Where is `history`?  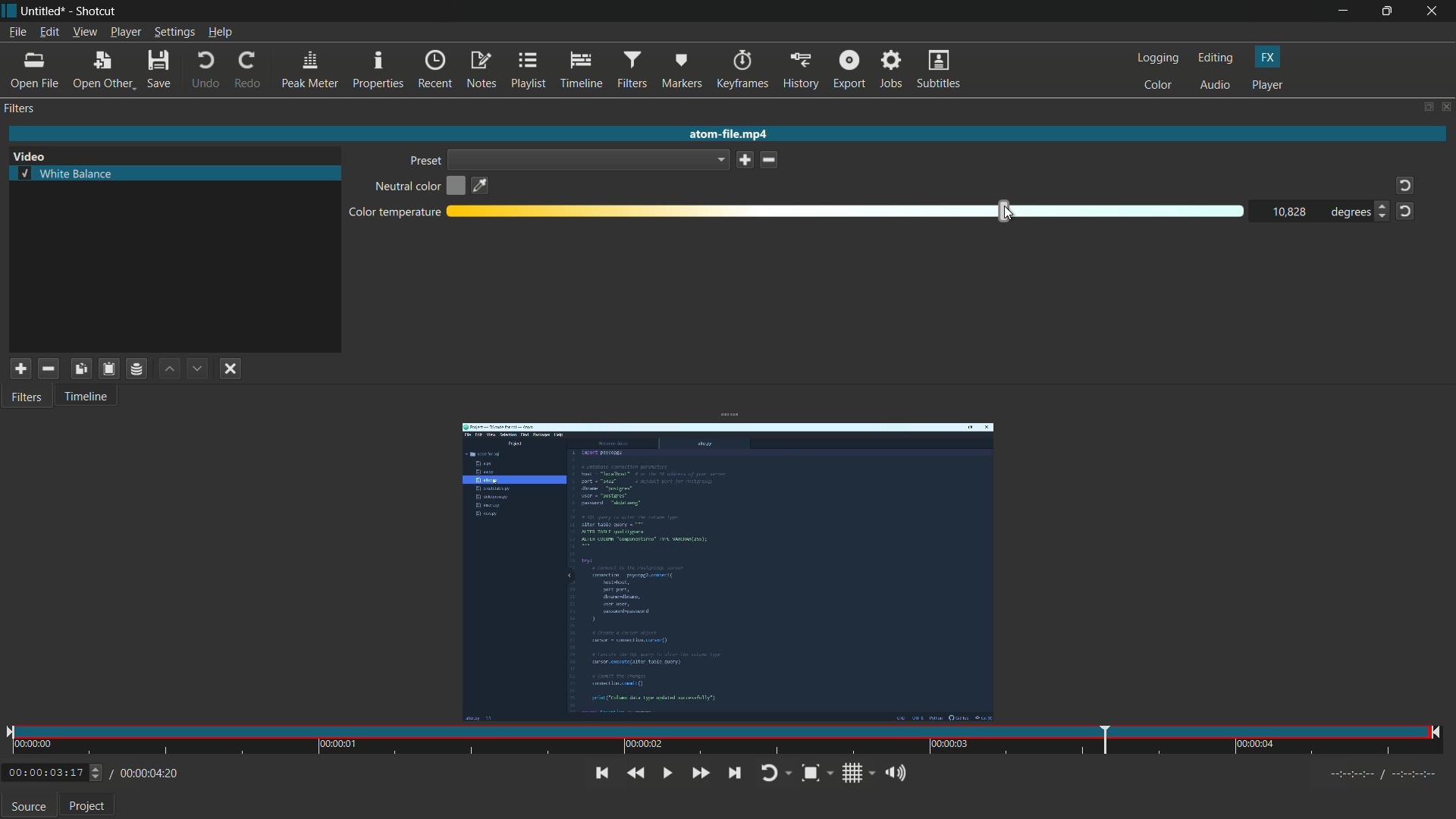
history is located at coordinates (802, 68).